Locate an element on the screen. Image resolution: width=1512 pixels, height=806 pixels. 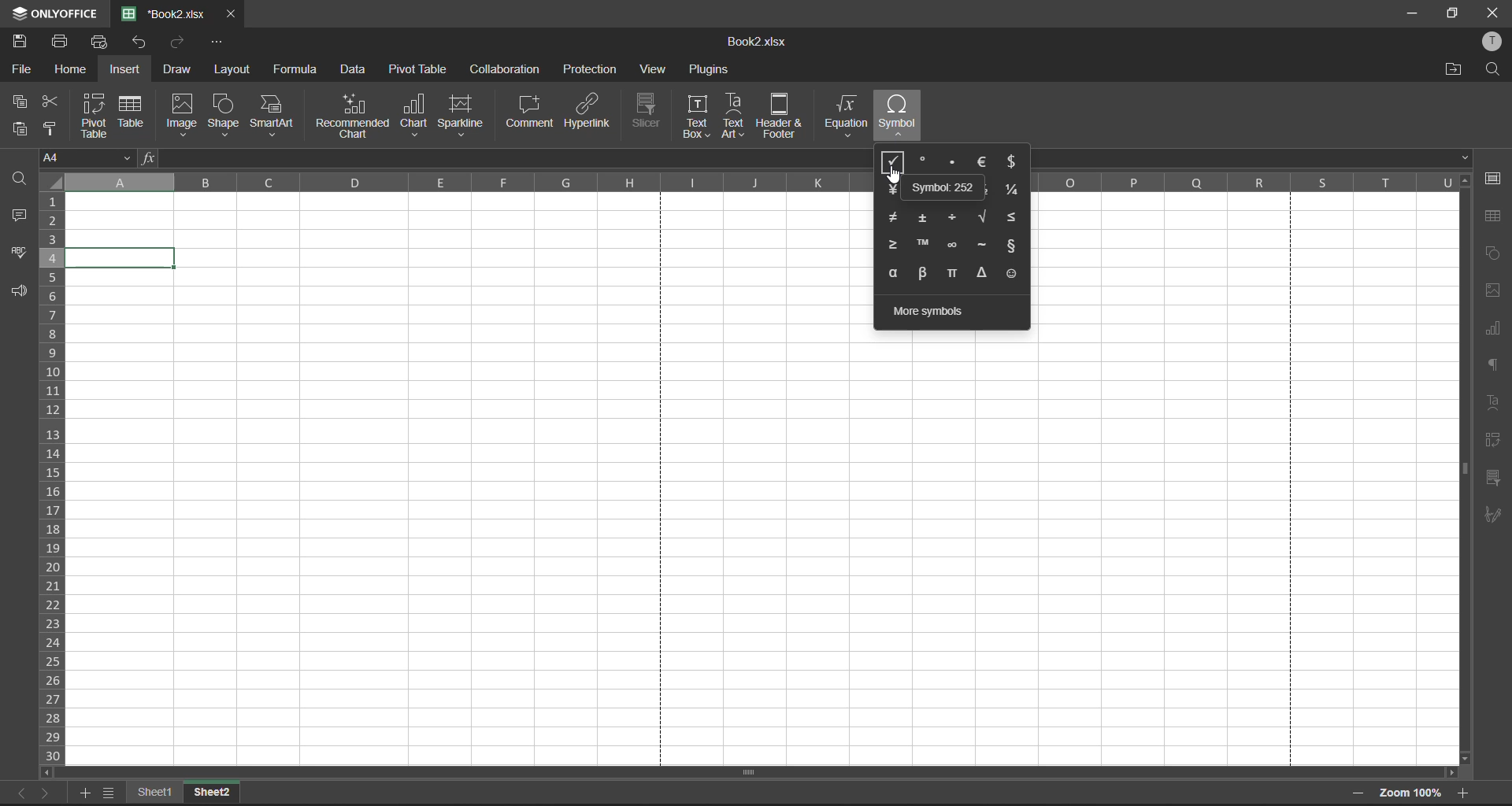
ONLYOFFICE is located at coordinates (70, 14).